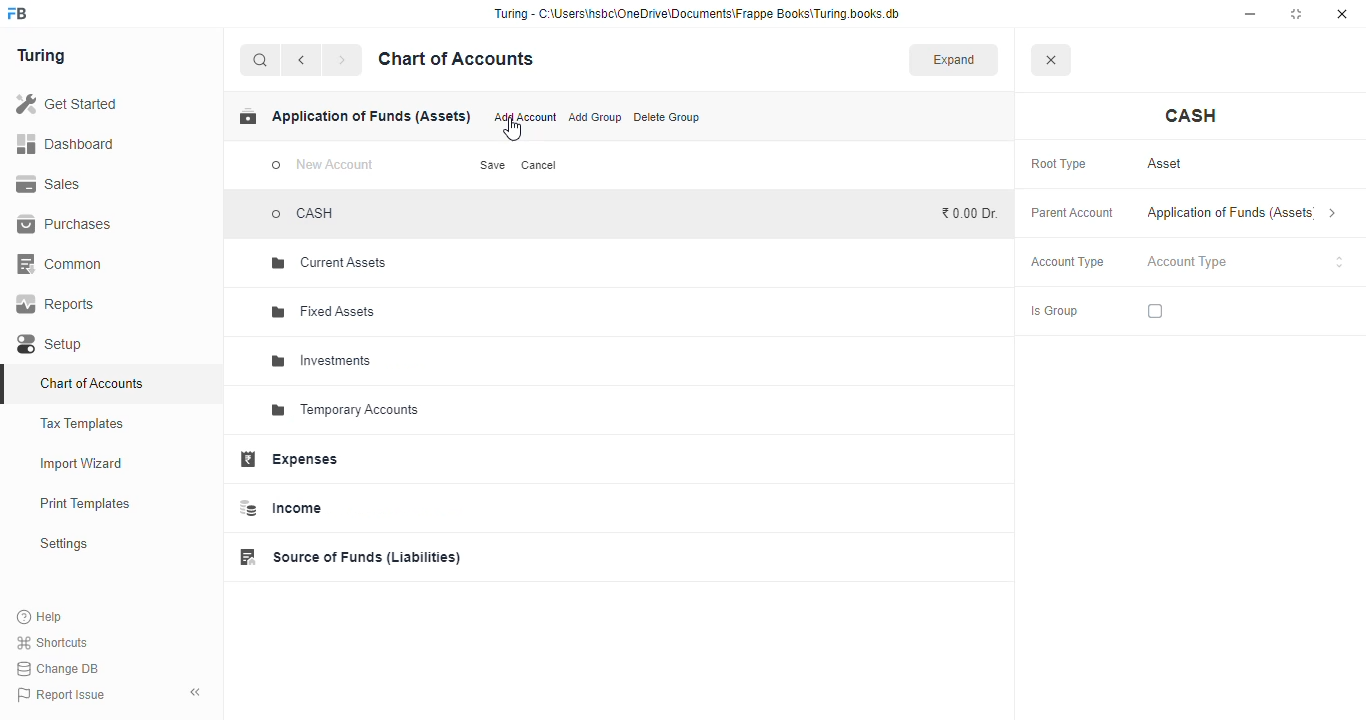 The width and height of the screenshot is (1366, 720). What do you see at coordinates (261, 60) in the screenshot?
I see `search` at bounding box center [261, 60].